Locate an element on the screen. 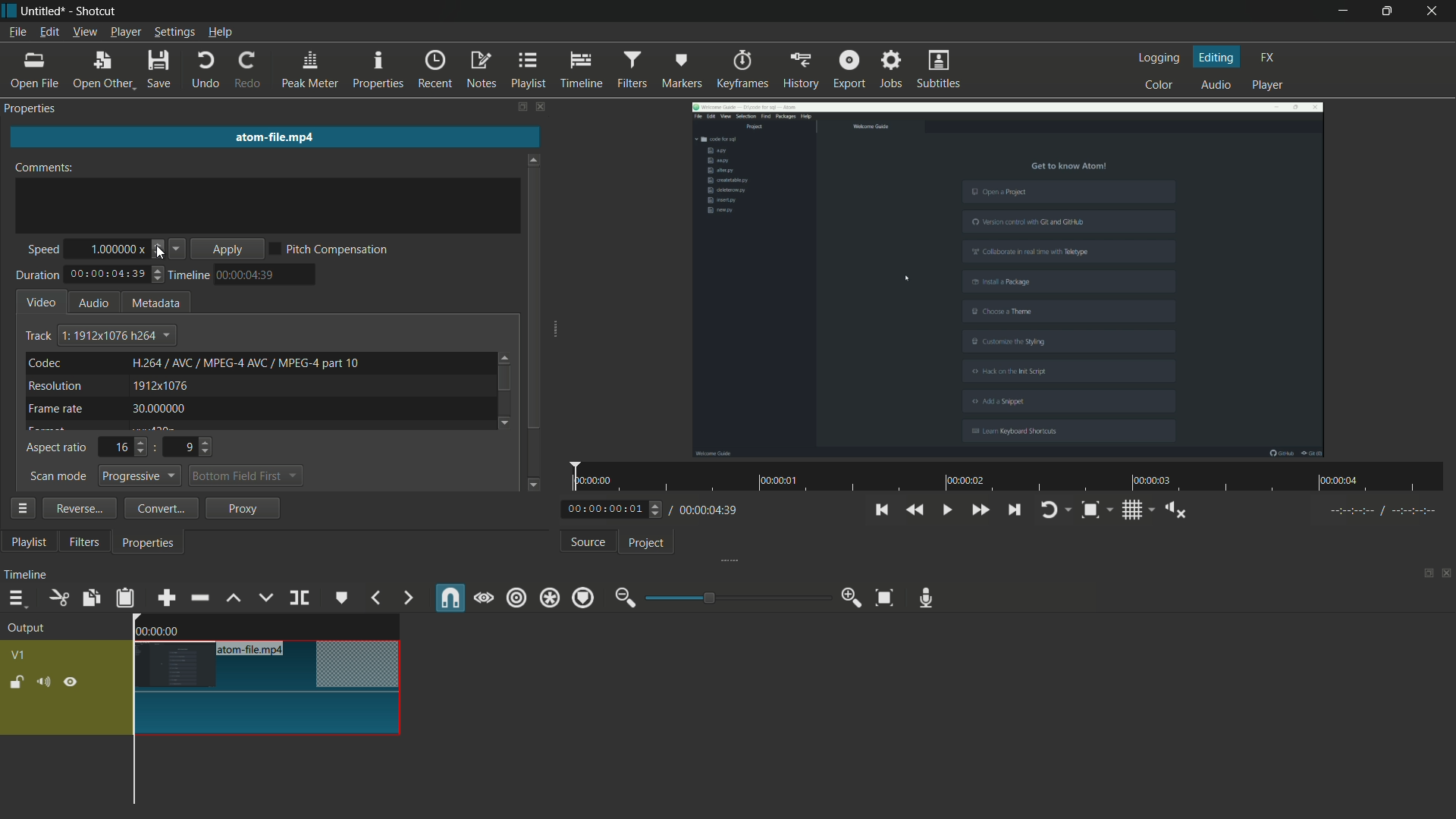  30 is located at coordinates (162, 410).